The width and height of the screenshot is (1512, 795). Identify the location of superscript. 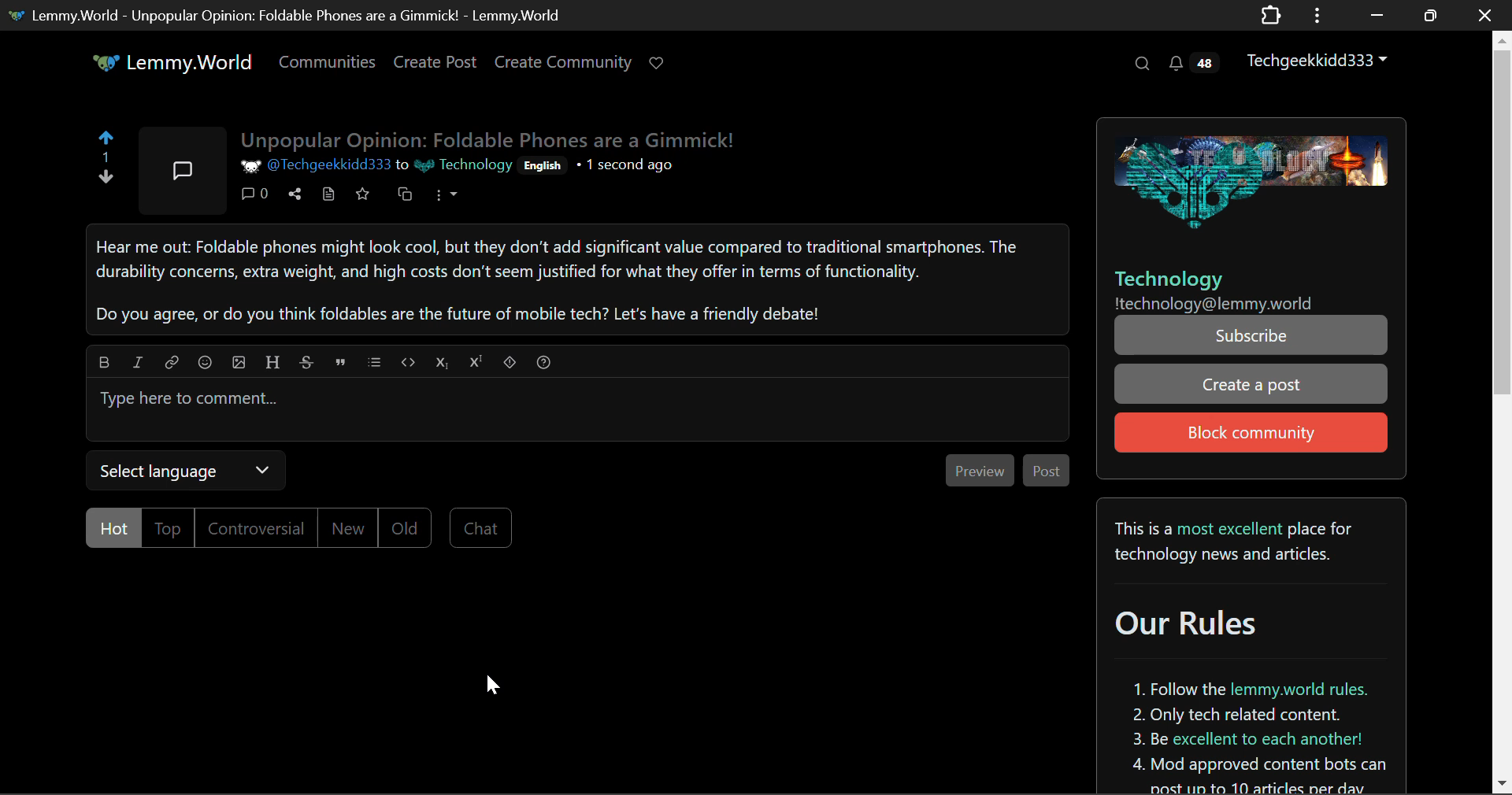
(476, 361).